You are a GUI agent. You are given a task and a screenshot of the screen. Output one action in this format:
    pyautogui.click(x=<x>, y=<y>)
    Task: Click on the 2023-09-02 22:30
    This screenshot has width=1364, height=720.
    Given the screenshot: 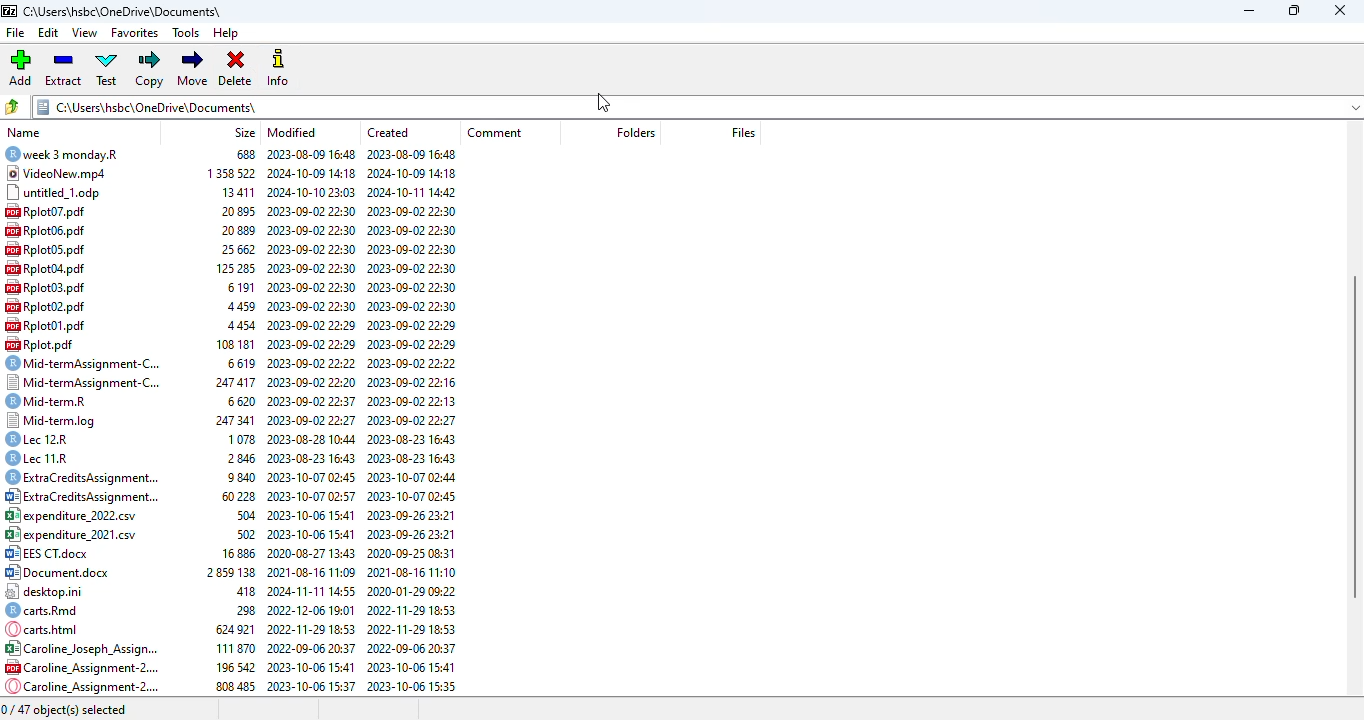 What is the action you would take?
    pyautogui.click(x=416, y=287)
    